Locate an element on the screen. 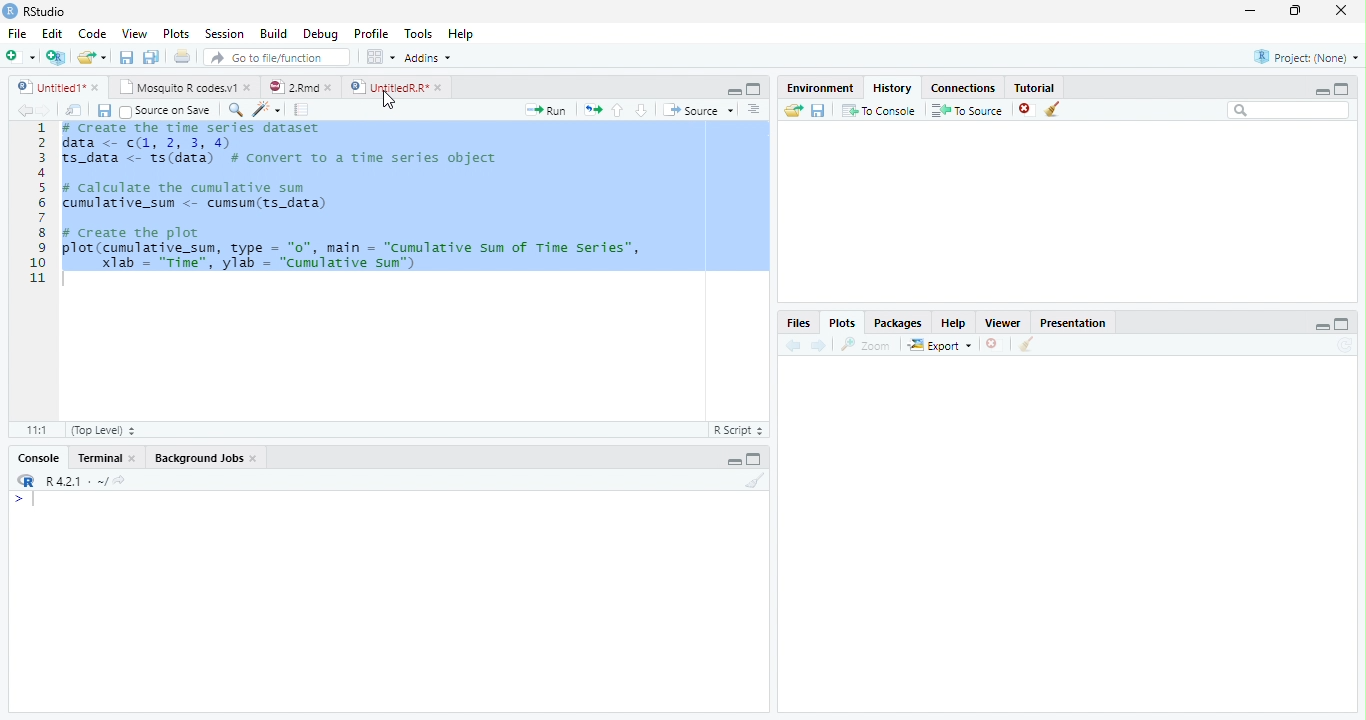 The width and height of the screenshot is (1366, 720). Save is located at coordinates (126, 59).